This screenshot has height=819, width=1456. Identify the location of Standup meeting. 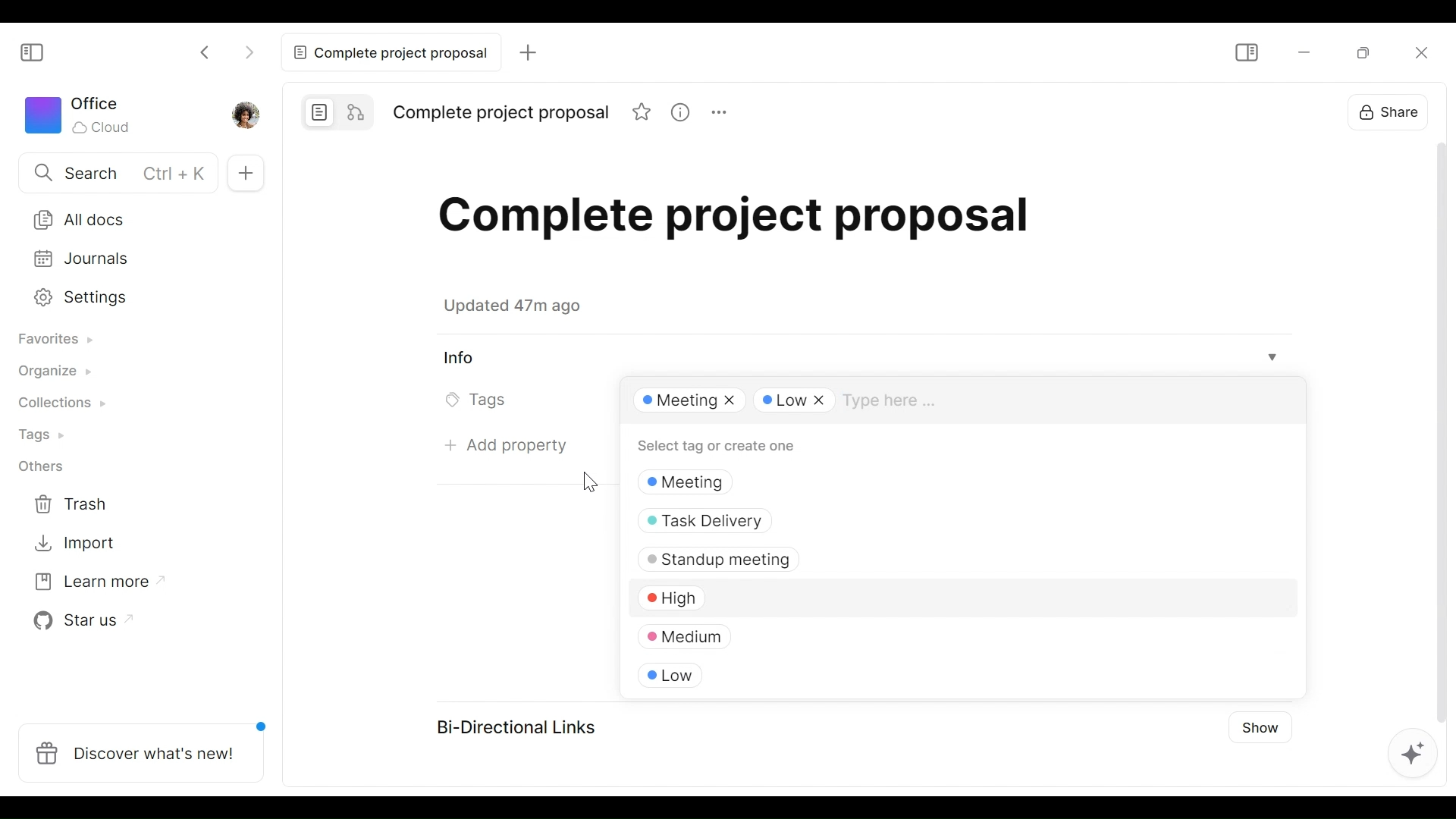
(843, 558).